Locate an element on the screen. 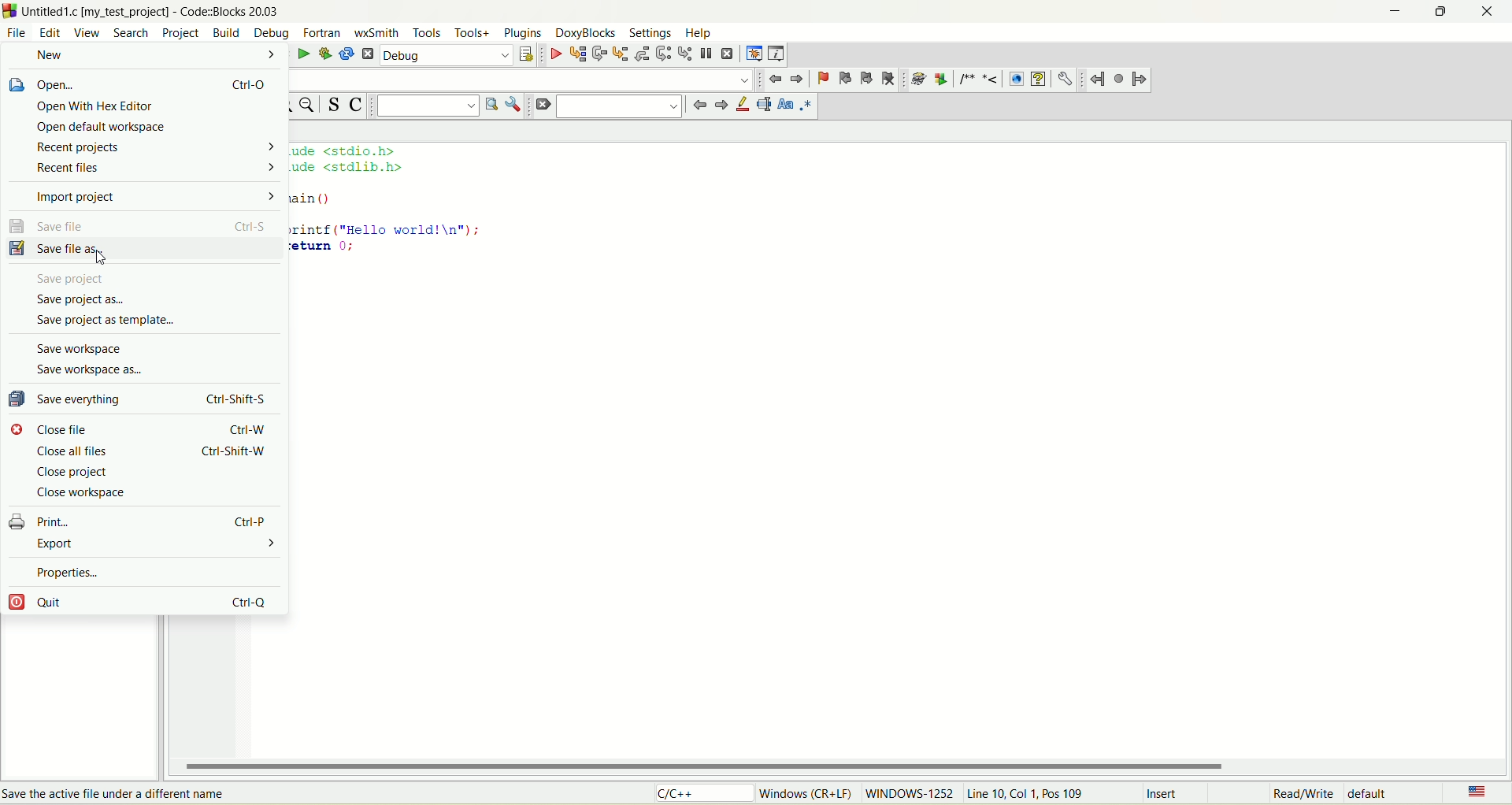 The width and height of the screenshot is (1512, 805). select target dialog is located at coordinates (525, 56).